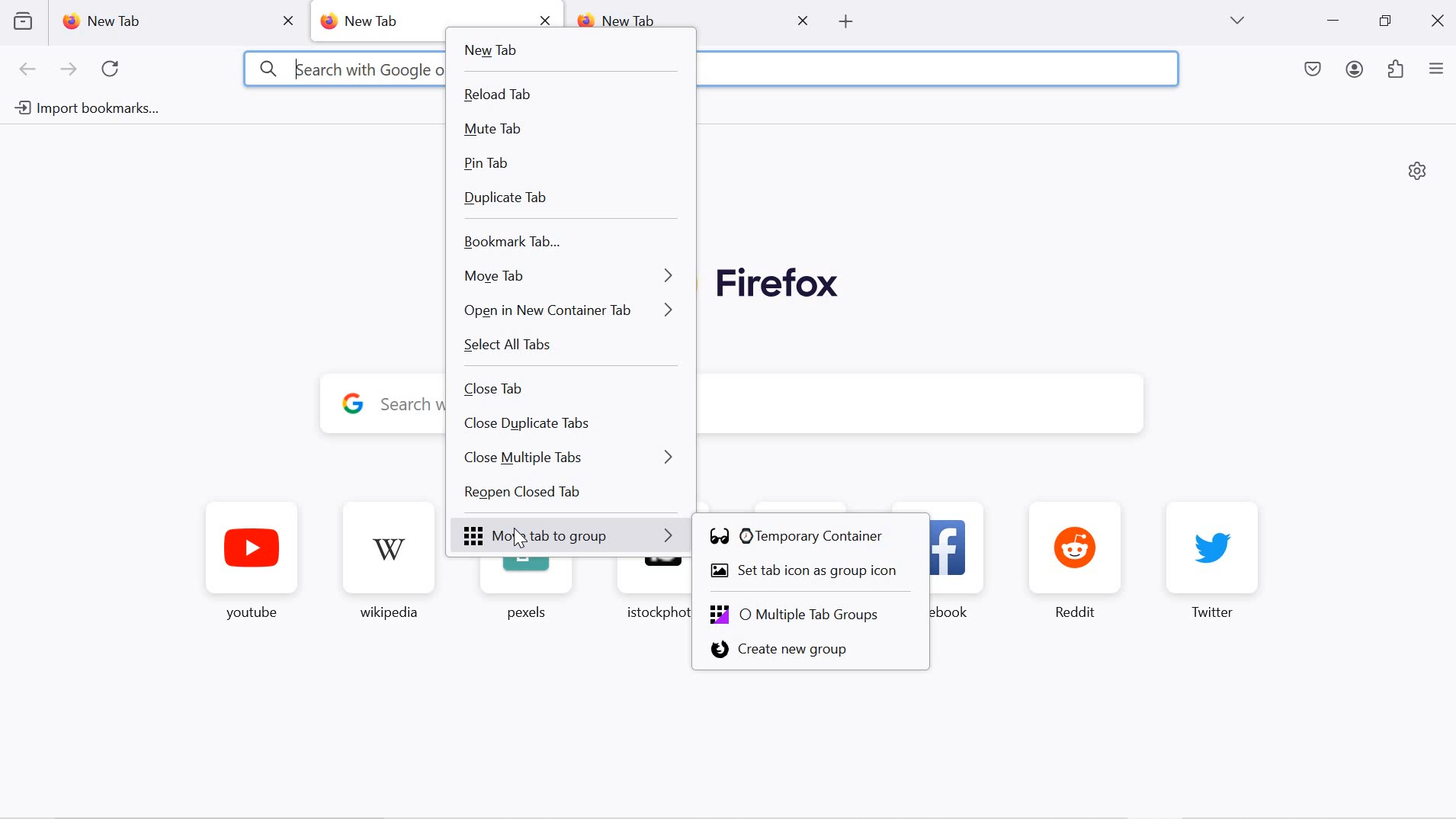 This screenshot has height=819, width=1456. Describe the element at coordinates (1236, 21) in the screenshot. I see `list all tabs` at that location.